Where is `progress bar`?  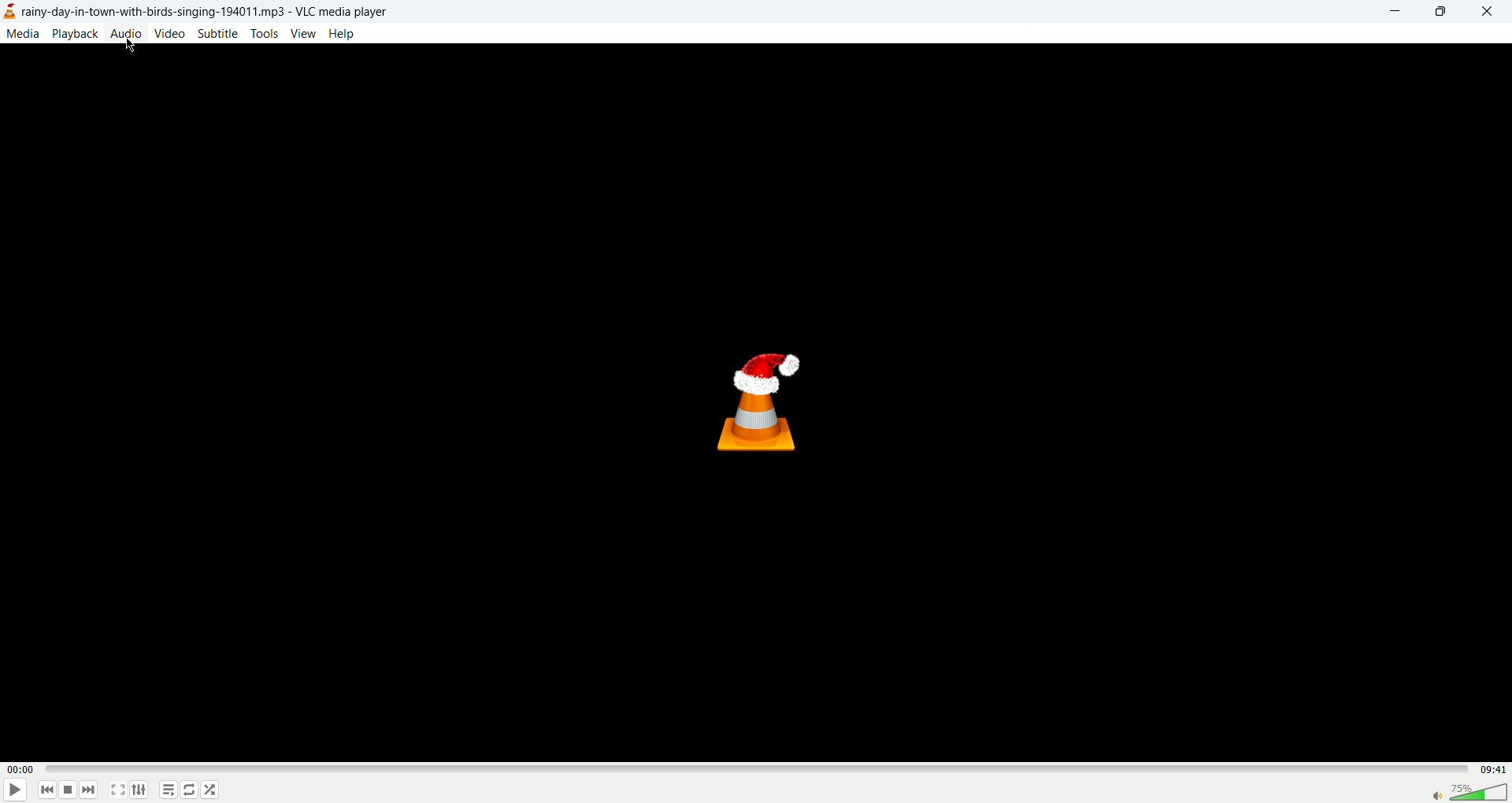
progress bar is located at coordinates (754, 769).